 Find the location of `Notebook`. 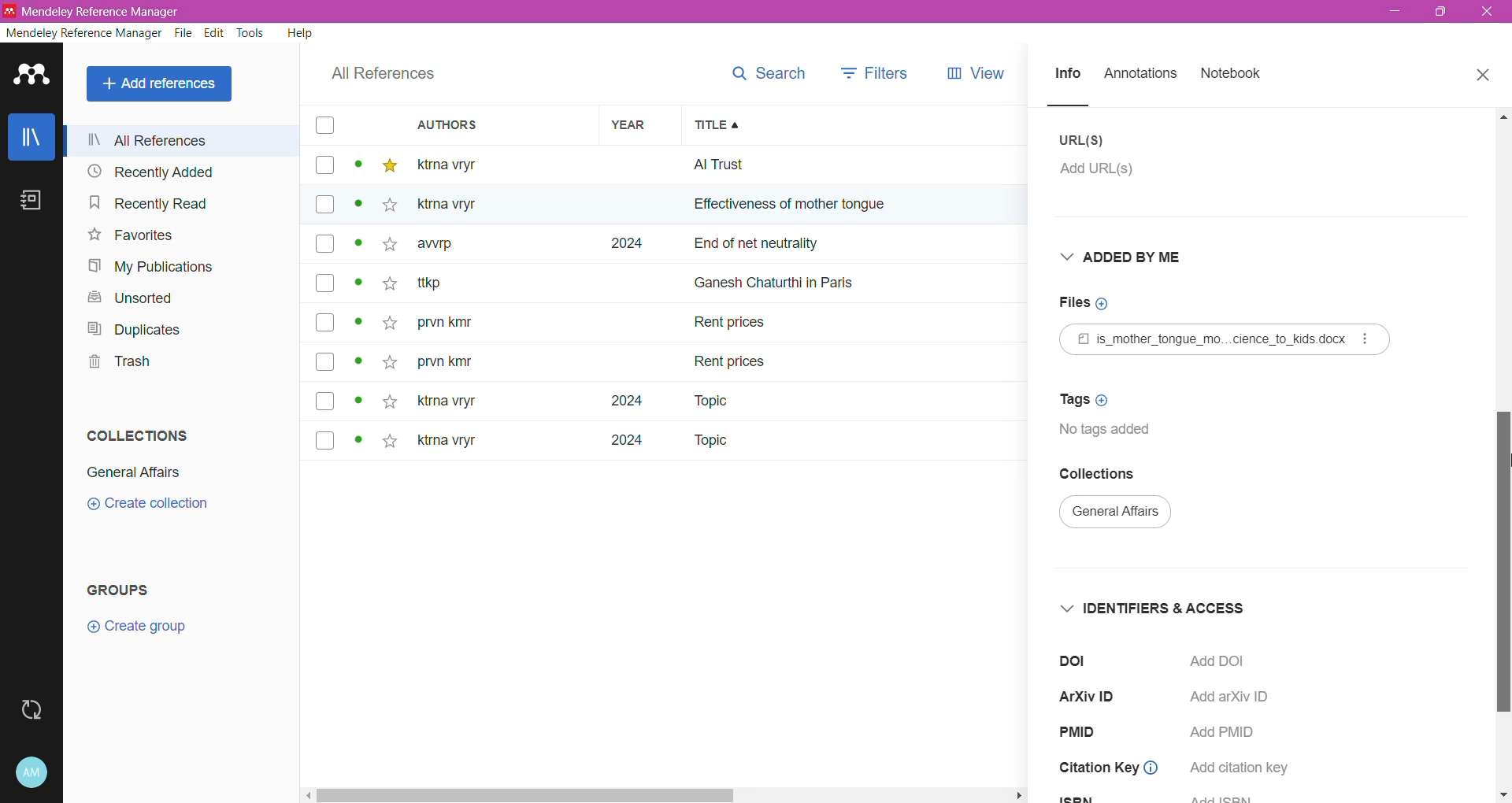

Notebook is located at coordinates (1232, 74).